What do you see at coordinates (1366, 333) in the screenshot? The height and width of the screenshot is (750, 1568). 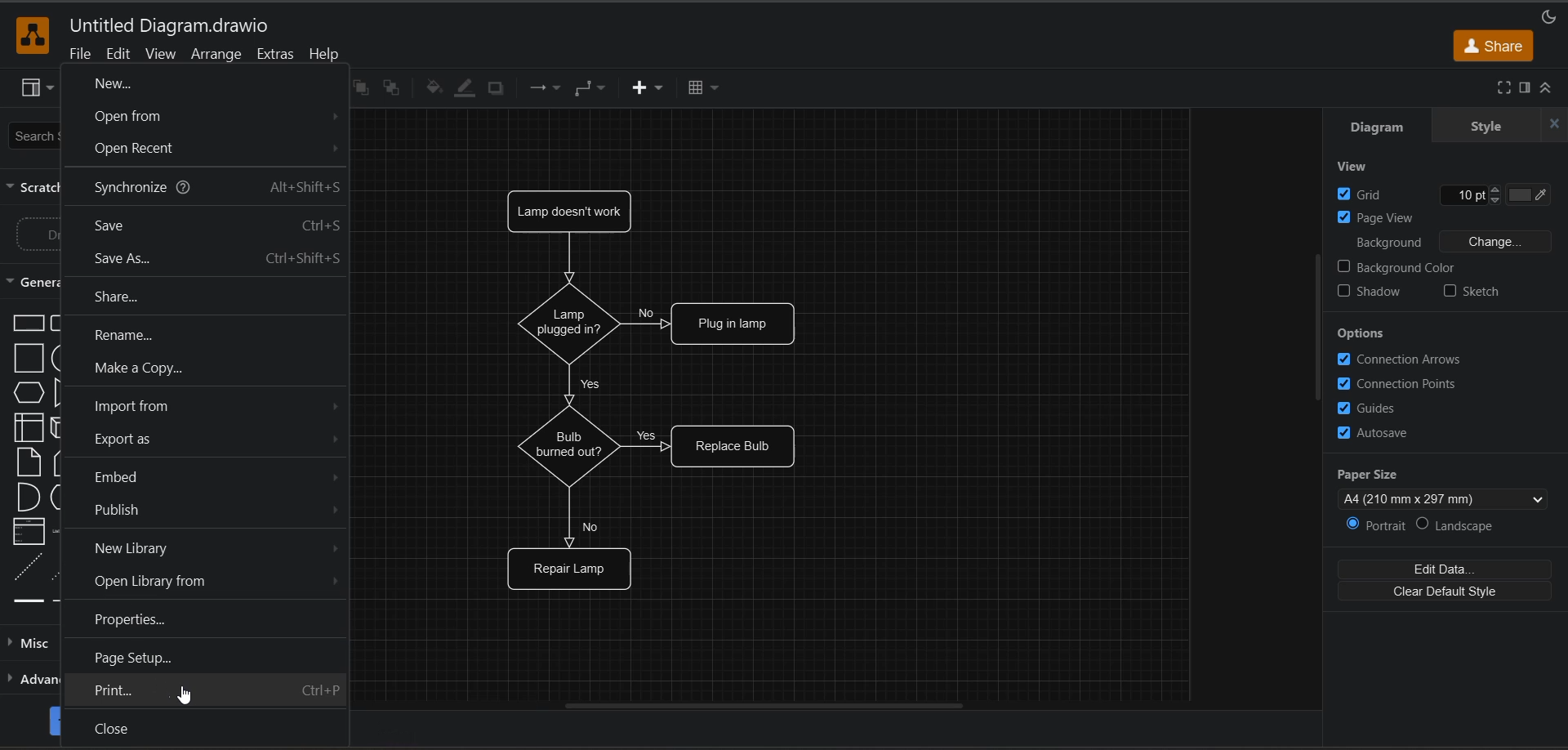 I see `options` at bounding box center [1366, 333].